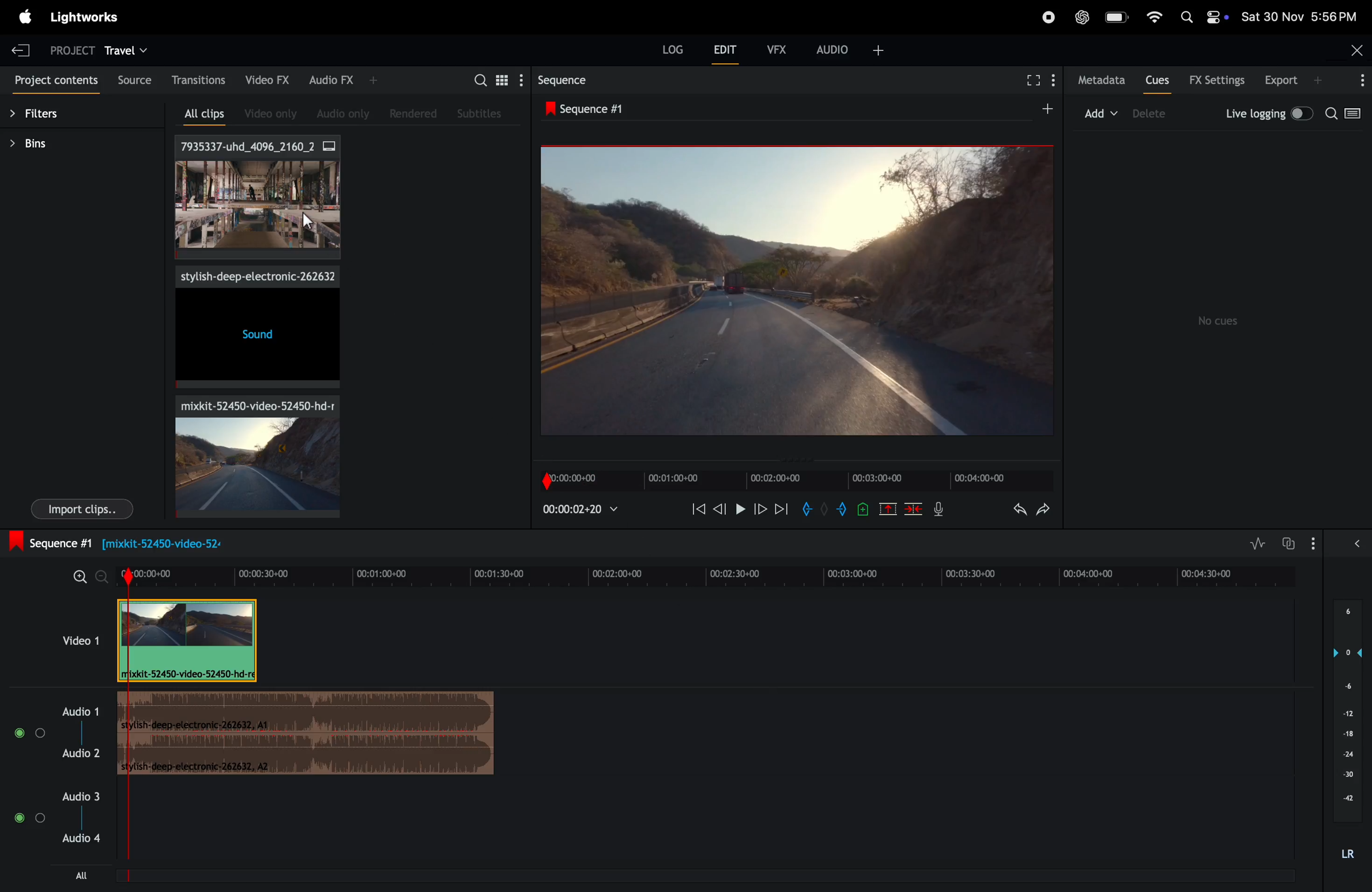 This screenshot has height=892, width=1372. What do you see at coordinates (1254, 543) in the screenshot?
I see `toggle audio editing levels` at bounding box center [1254, 543].